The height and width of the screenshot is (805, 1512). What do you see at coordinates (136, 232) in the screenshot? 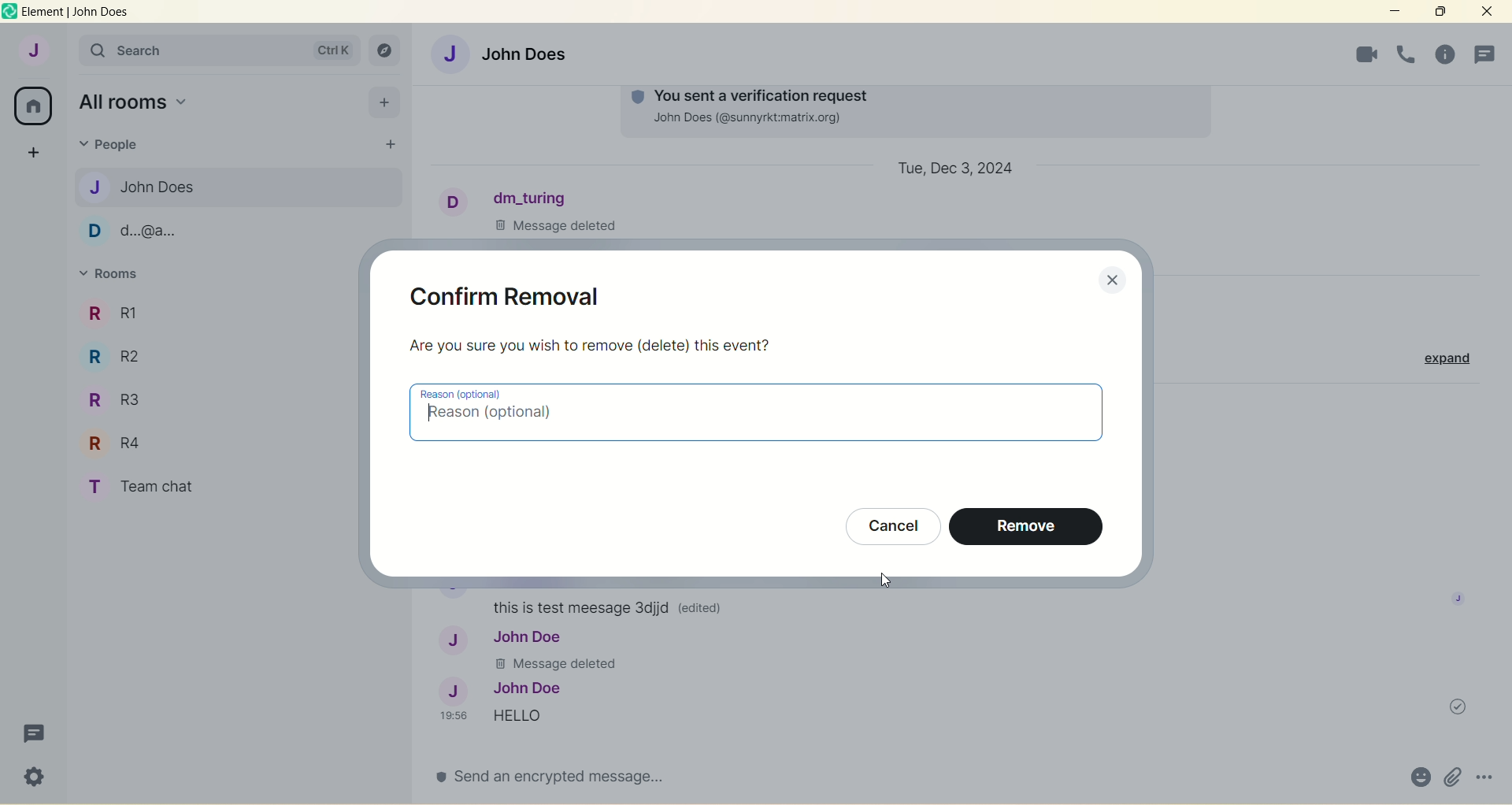
I see `d...@a...` at bounding box center [136, 232].